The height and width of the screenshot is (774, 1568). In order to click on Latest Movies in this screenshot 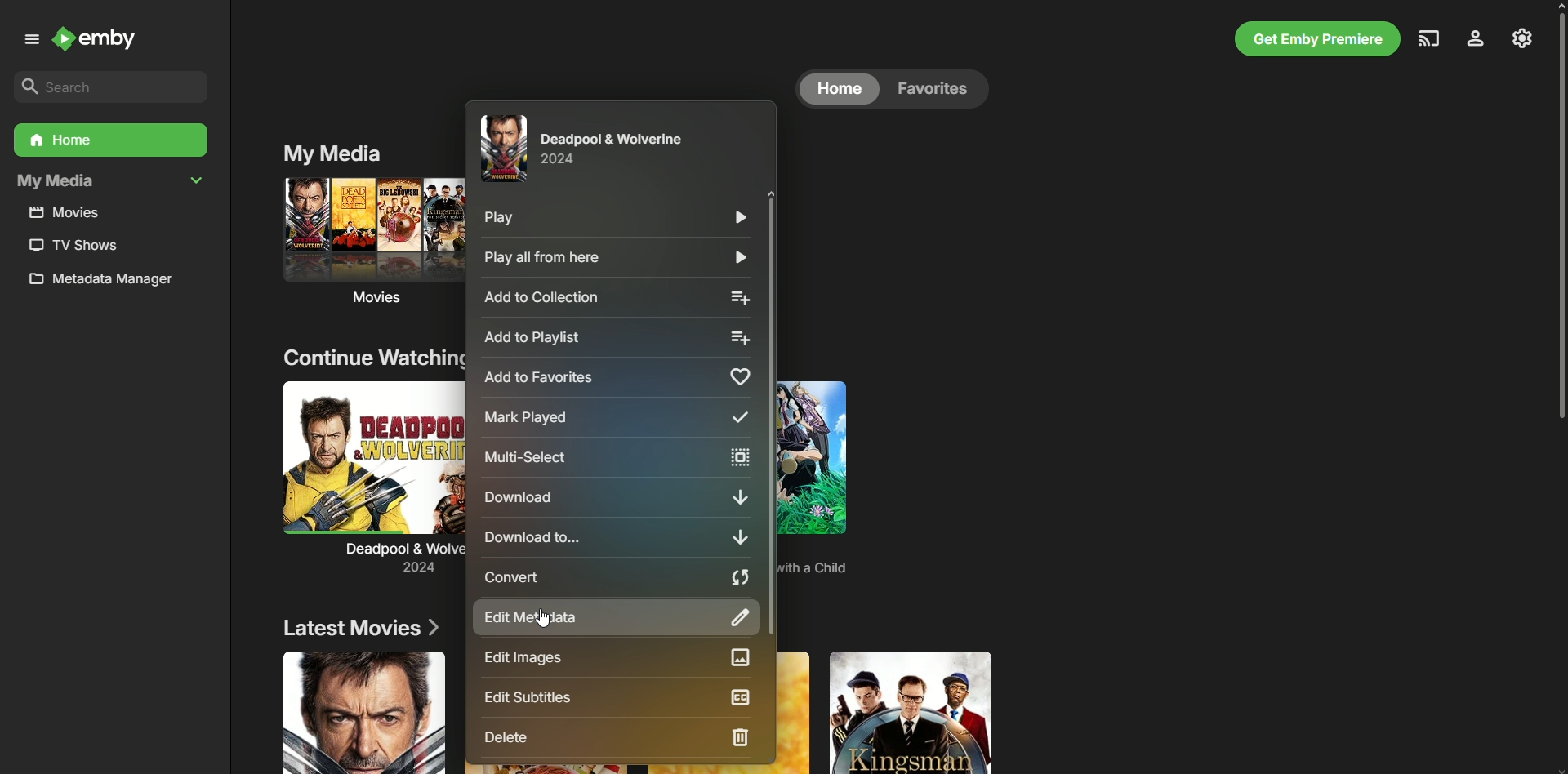, I will do `click(363, 629)`.